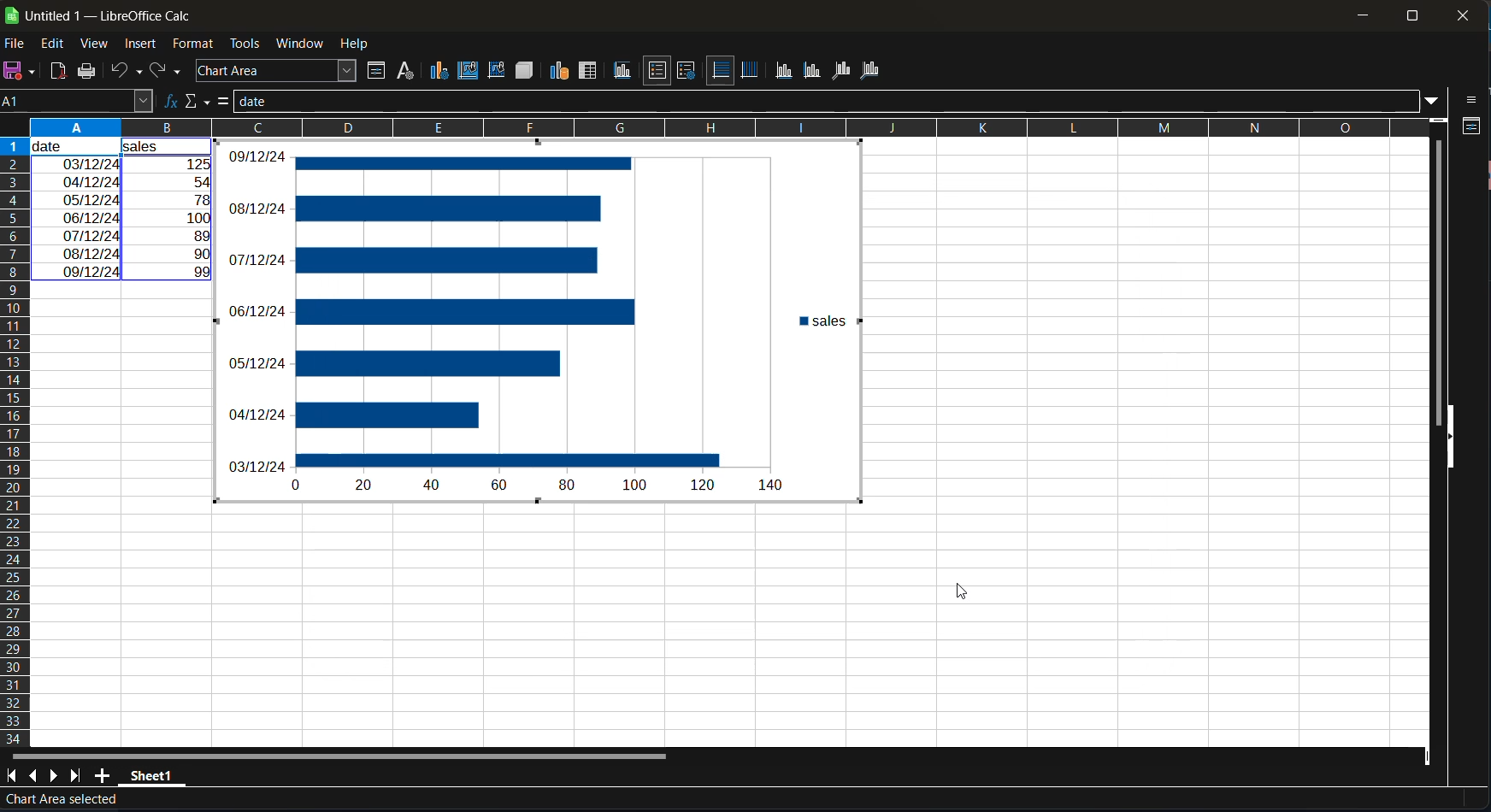  I want to click on scroll to last sheet, so click(79, 777).